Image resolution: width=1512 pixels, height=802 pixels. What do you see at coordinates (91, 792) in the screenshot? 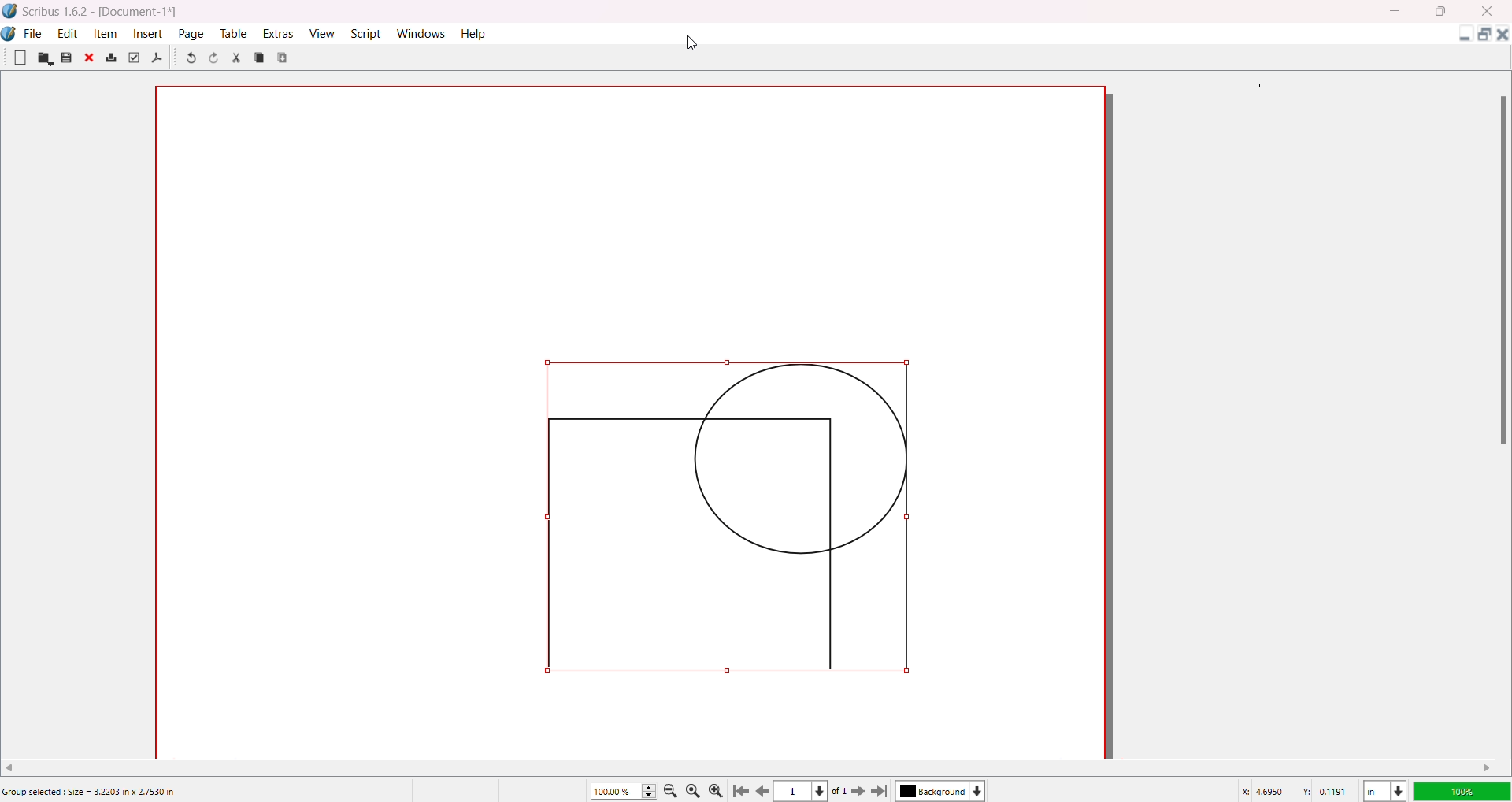
I see `Group selected: Size = 3.2203 in x 2.7530 in` at bounding box center [91, 792].